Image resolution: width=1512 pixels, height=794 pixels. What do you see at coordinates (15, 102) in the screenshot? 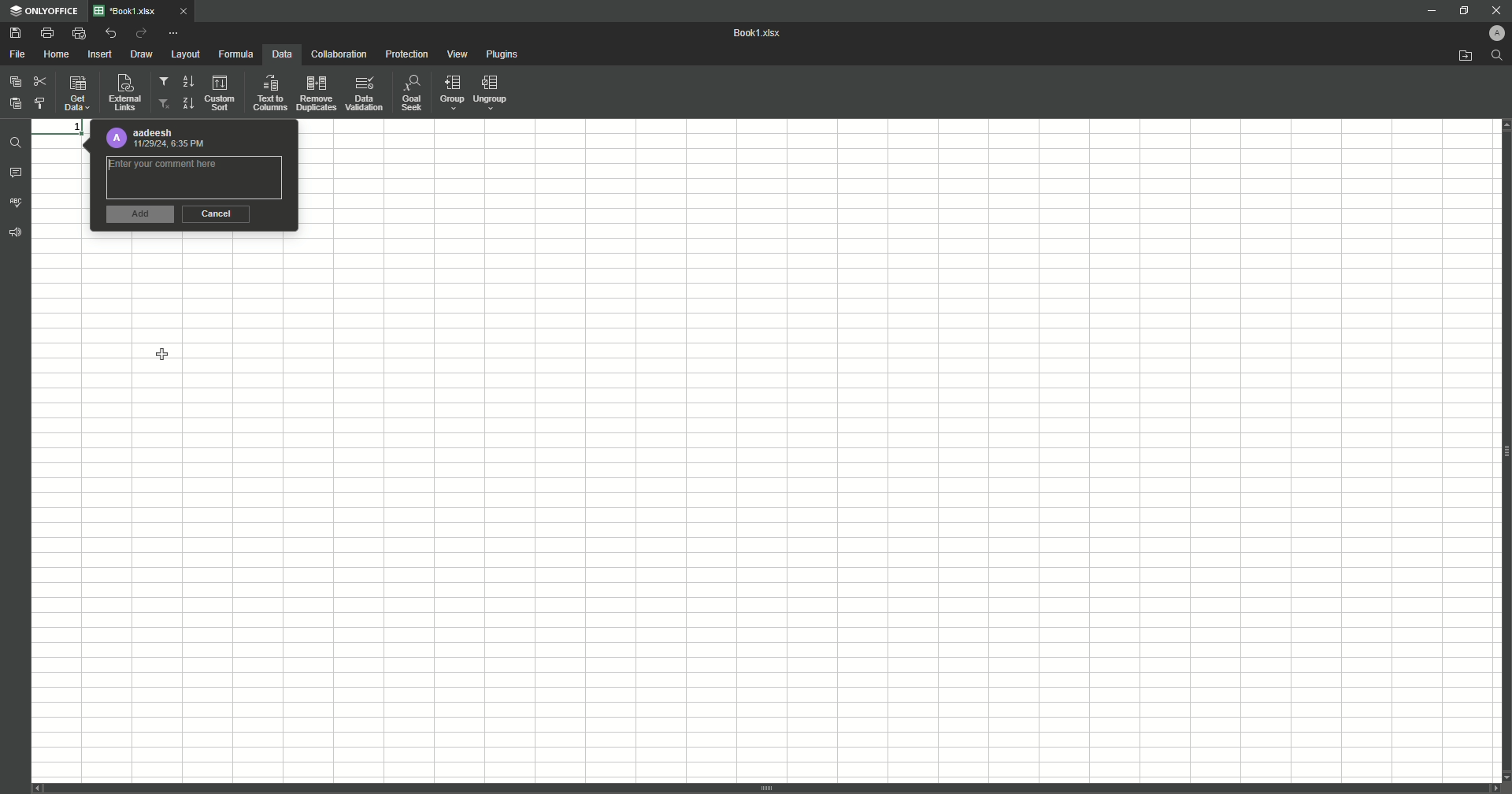
I see `Paste` at bounding box center [15, 102].